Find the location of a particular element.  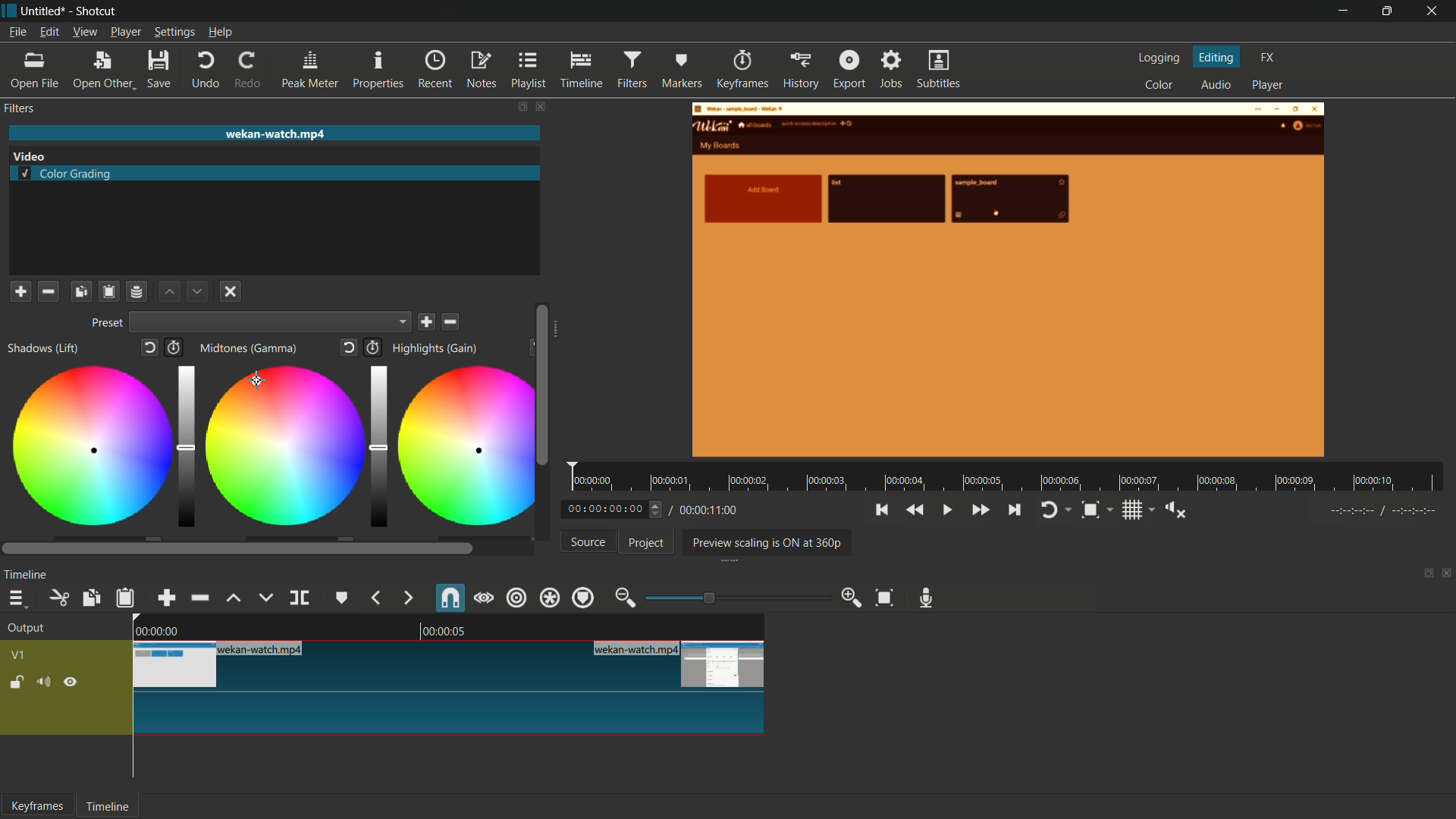

subtitles is located at coordinates (940, 69).